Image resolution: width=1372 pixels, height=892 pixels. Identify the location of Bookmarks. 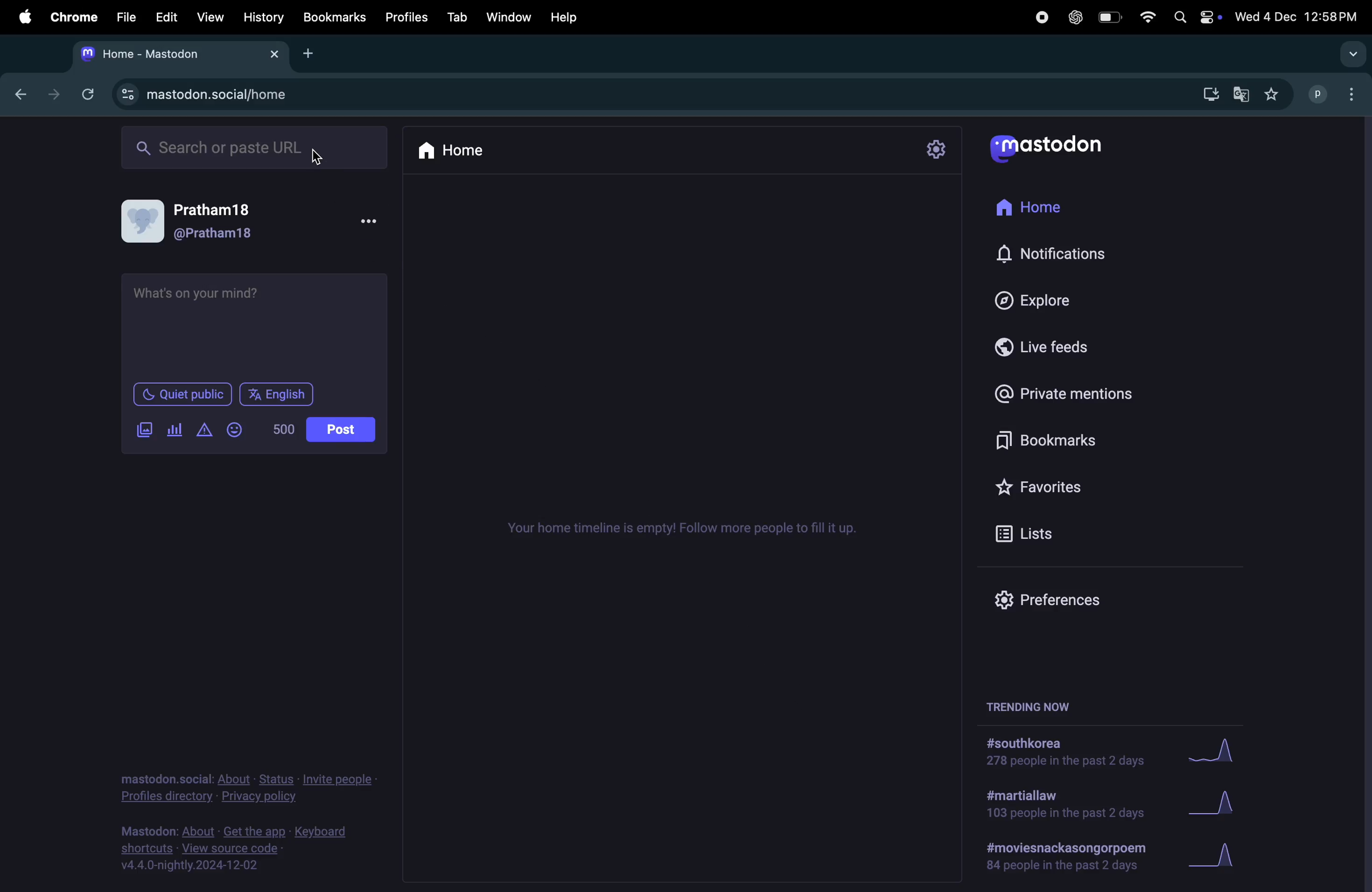
(1083, 442).